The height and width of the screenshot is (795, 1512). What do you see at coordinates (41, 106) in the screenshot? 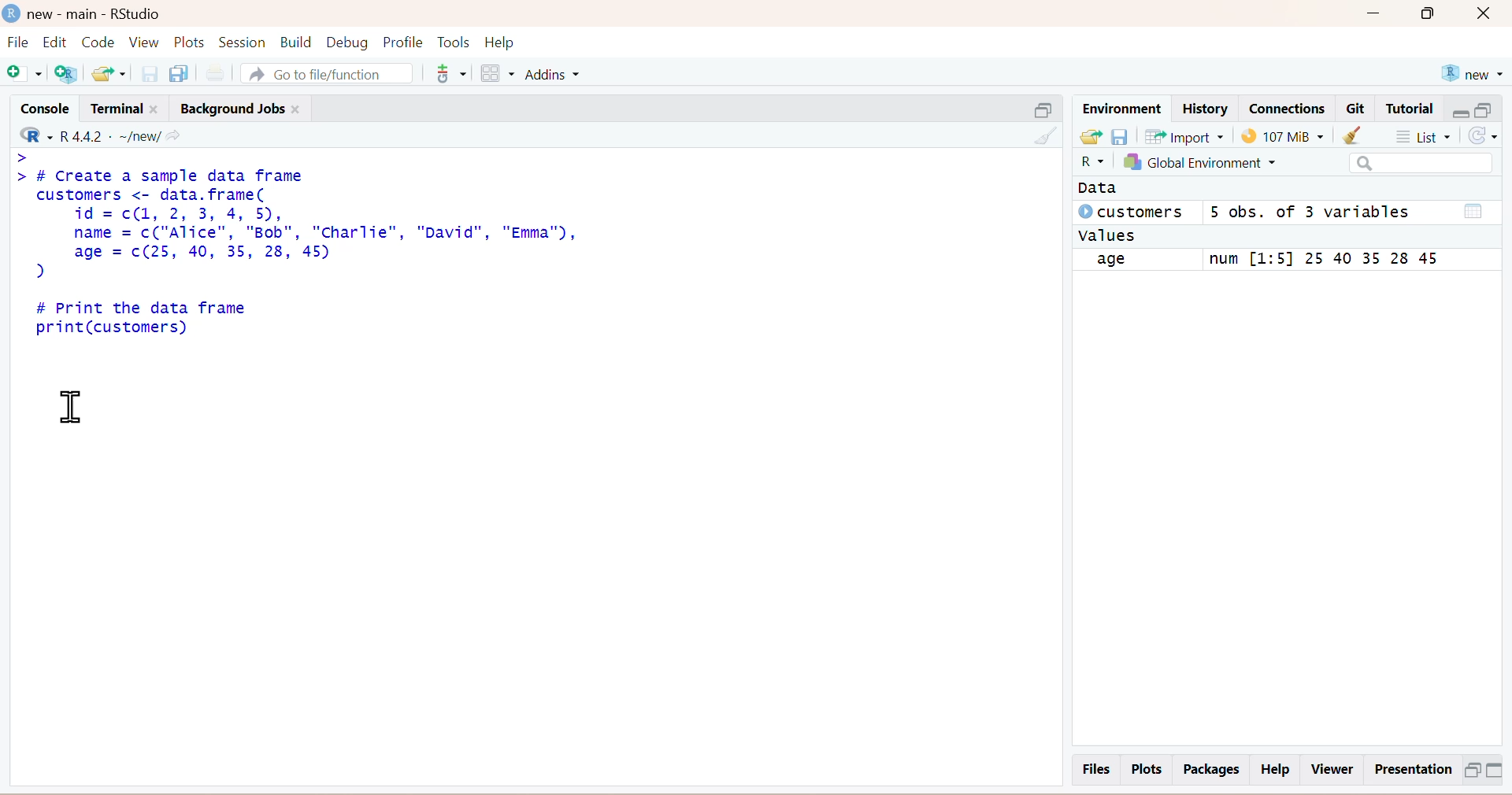
I see `Console` at bounding box center [41, 106].